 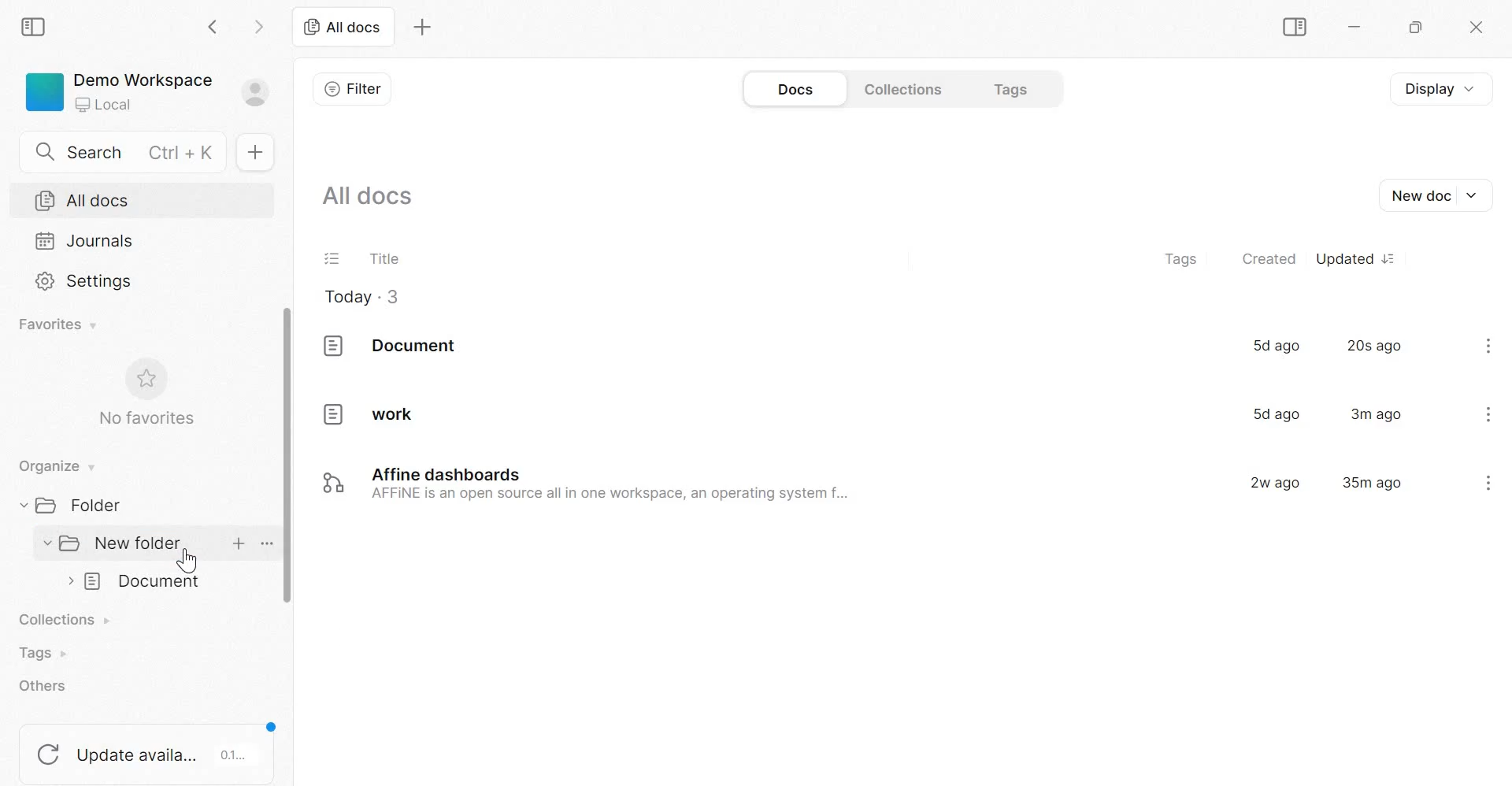 I want to click on 5d ago, so click(x=1277, y=344).